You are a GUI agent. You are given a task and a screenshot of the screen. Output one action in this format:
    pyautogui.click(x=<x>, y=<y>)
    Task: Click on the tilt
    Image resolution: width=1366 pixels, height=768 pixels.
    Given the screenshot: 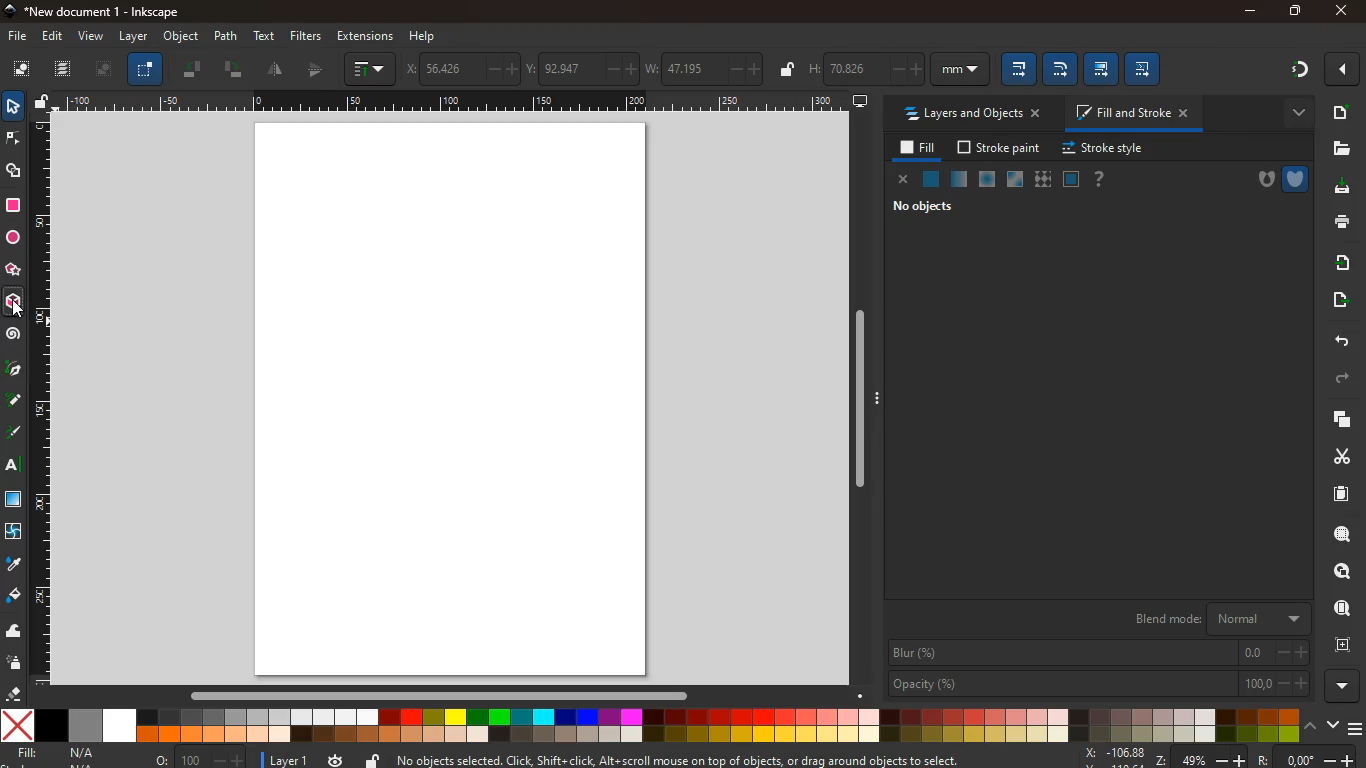 What is the action you would take?
    pyautogui.click(x=194, y=72)
    